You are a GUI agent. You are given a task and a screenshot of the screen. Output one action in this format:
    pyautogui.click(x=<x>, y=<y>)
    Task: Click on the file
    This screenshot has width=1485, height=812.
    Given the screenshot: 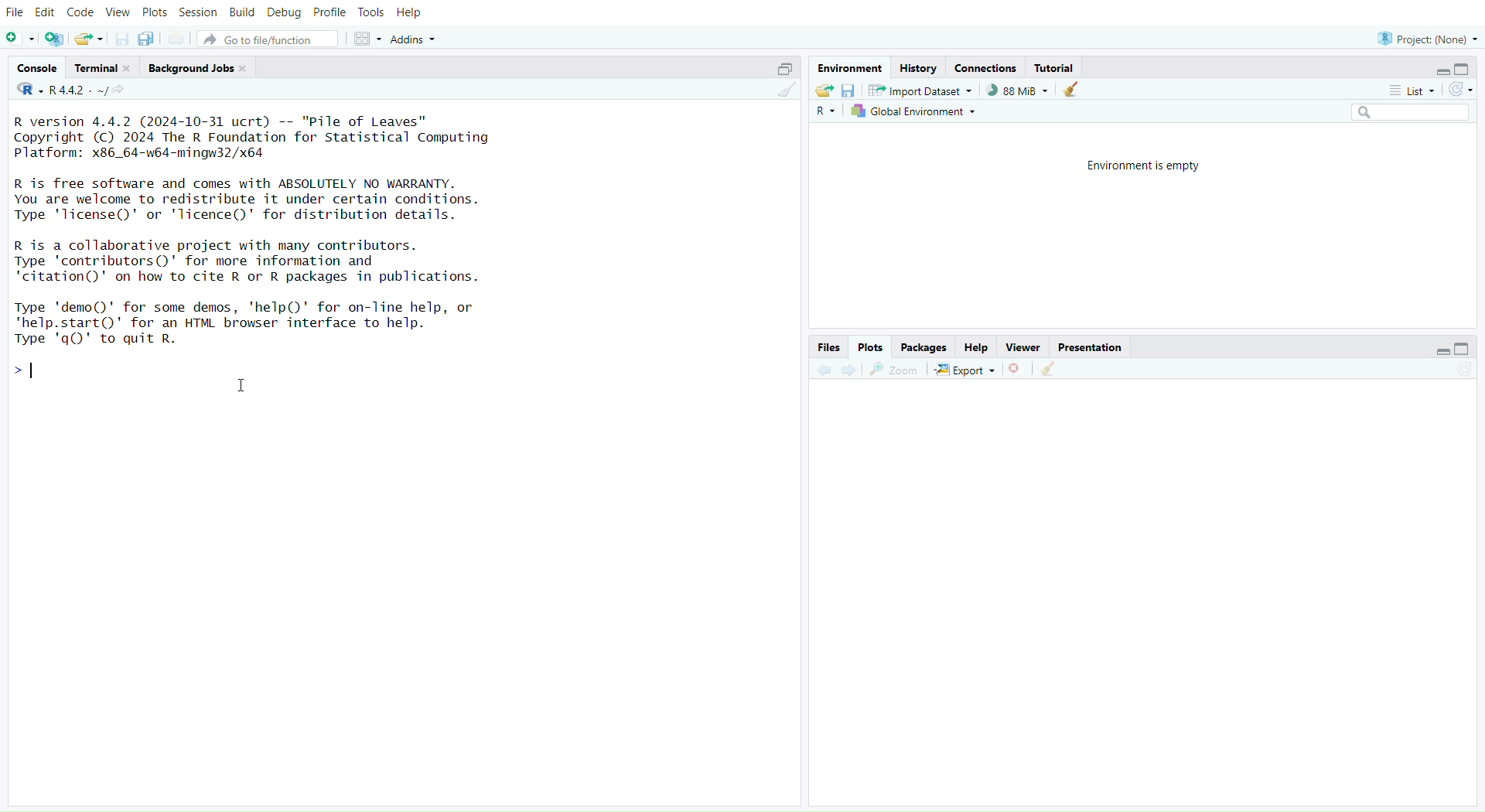 What is the action you would take?
    pyautogui.click(x=17, y=12)
    